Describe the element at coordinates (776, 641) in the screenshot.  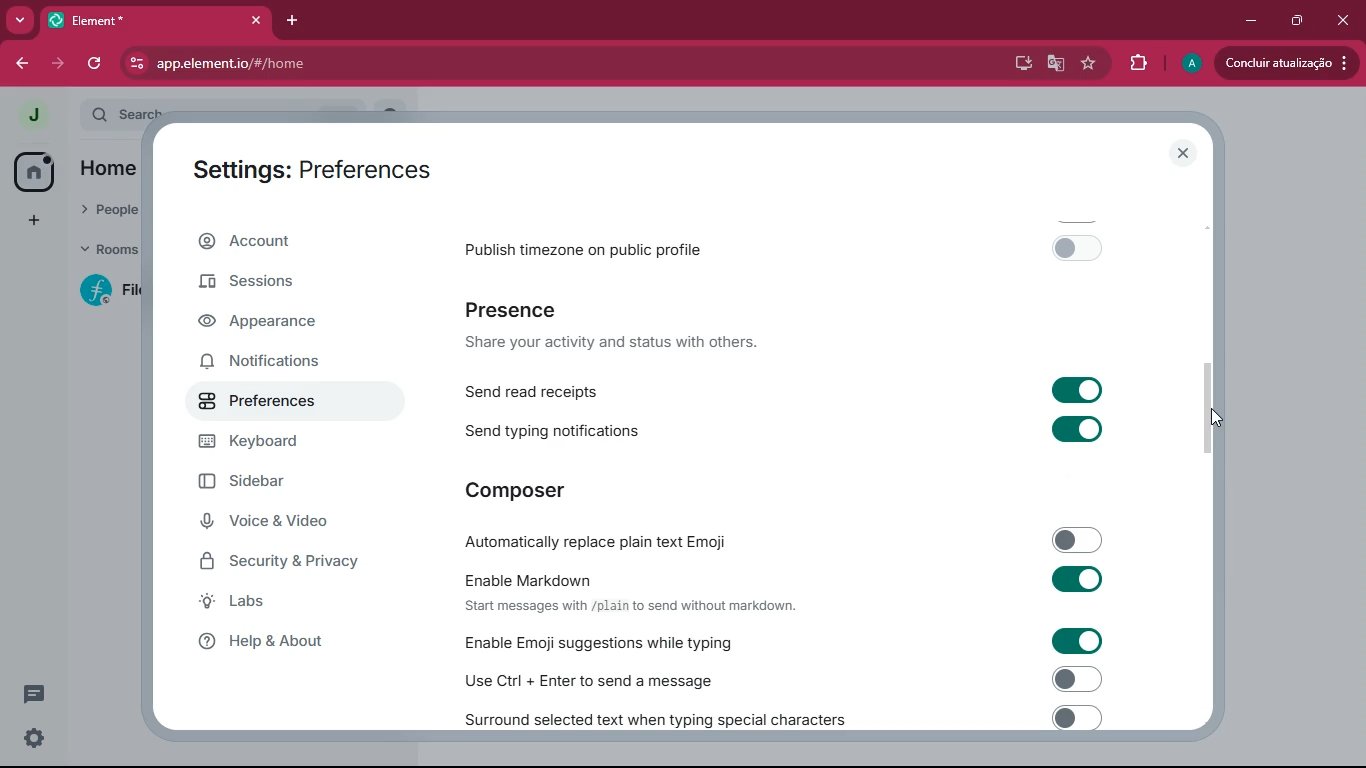
I see `enable emoji` at that location.